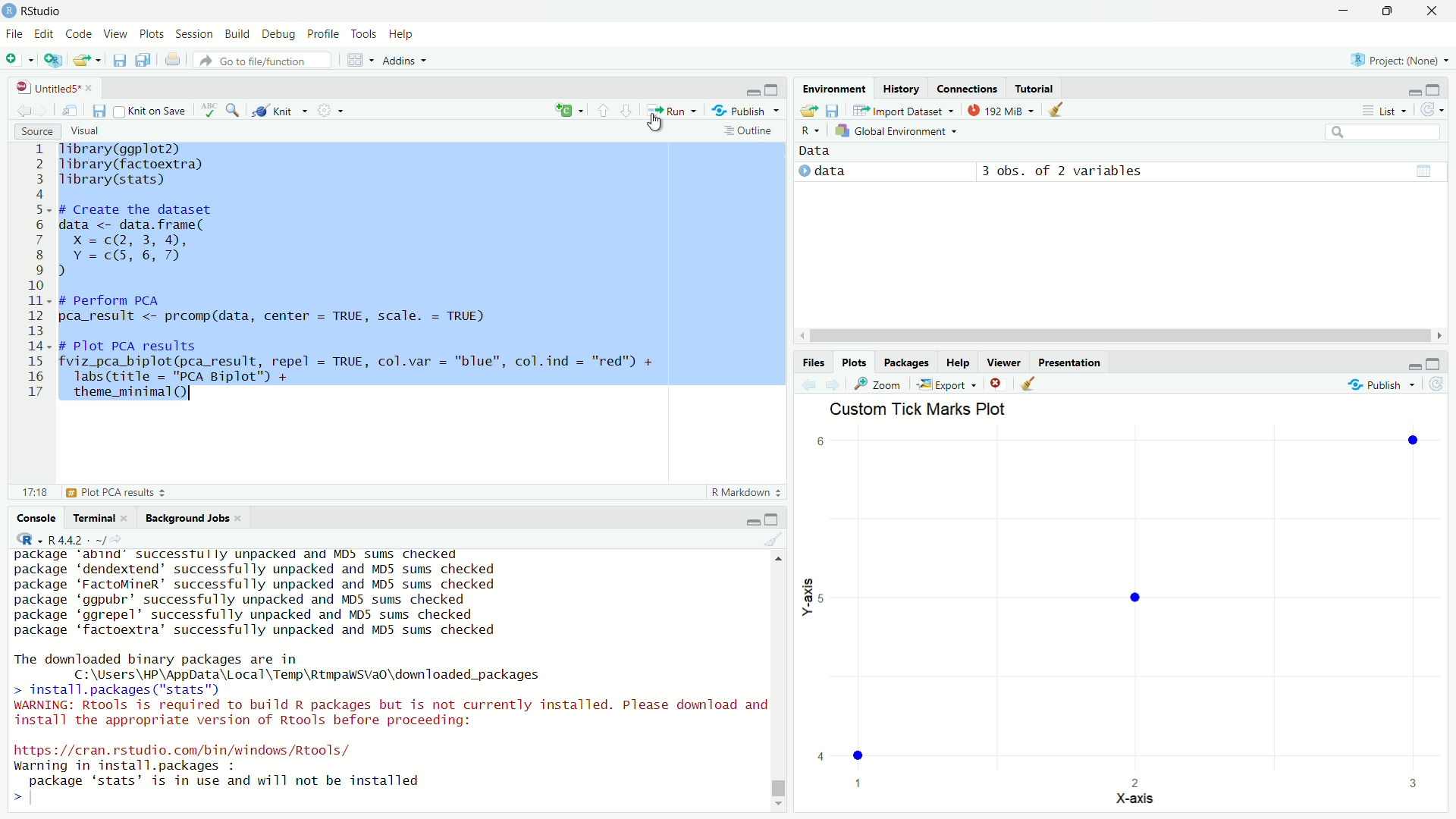  I want to click on r markdown, so click(746, 491).